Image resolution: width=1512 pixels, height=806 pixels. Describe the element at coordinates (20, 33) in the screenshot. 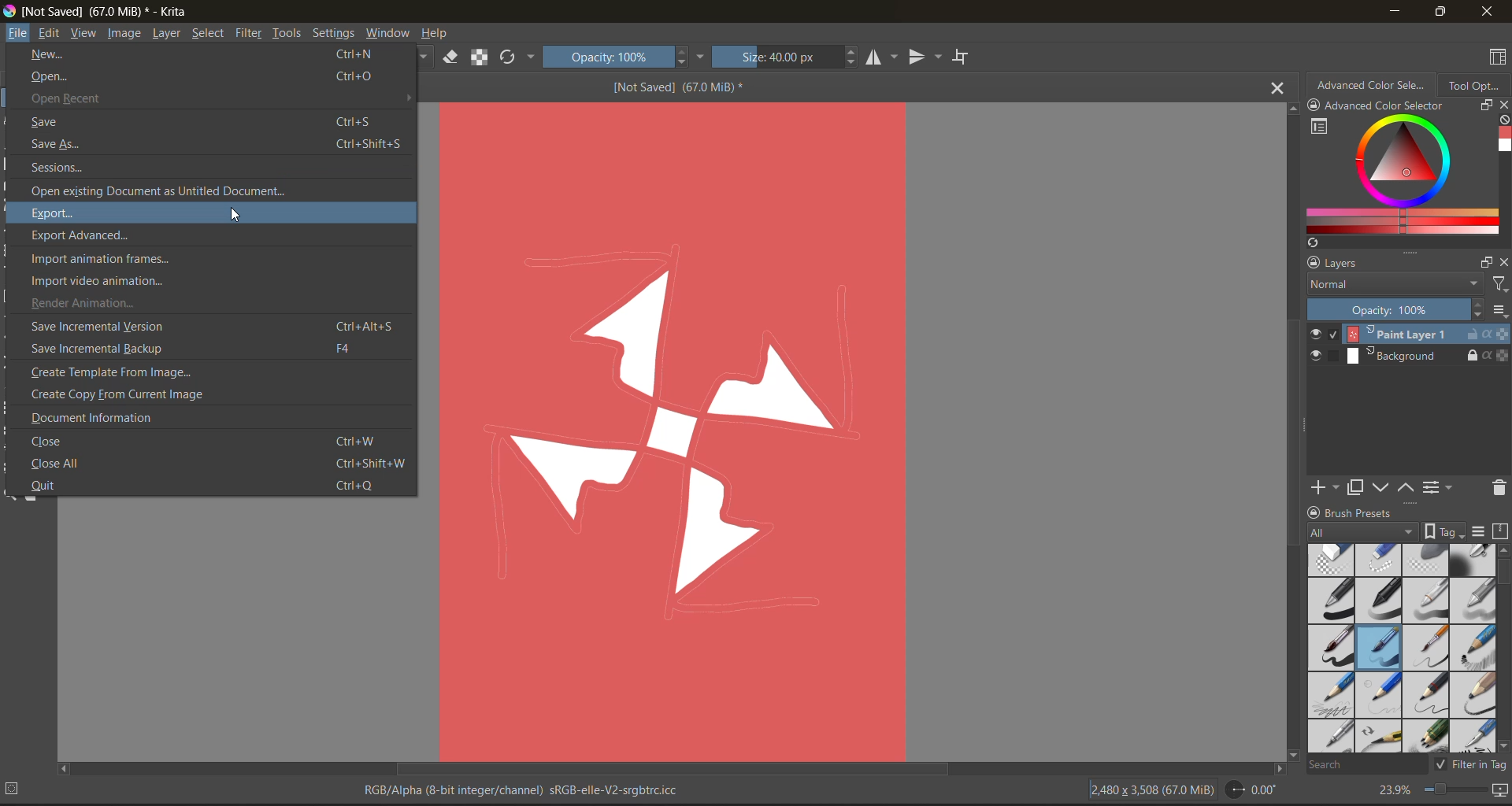

I see `file` at that location.